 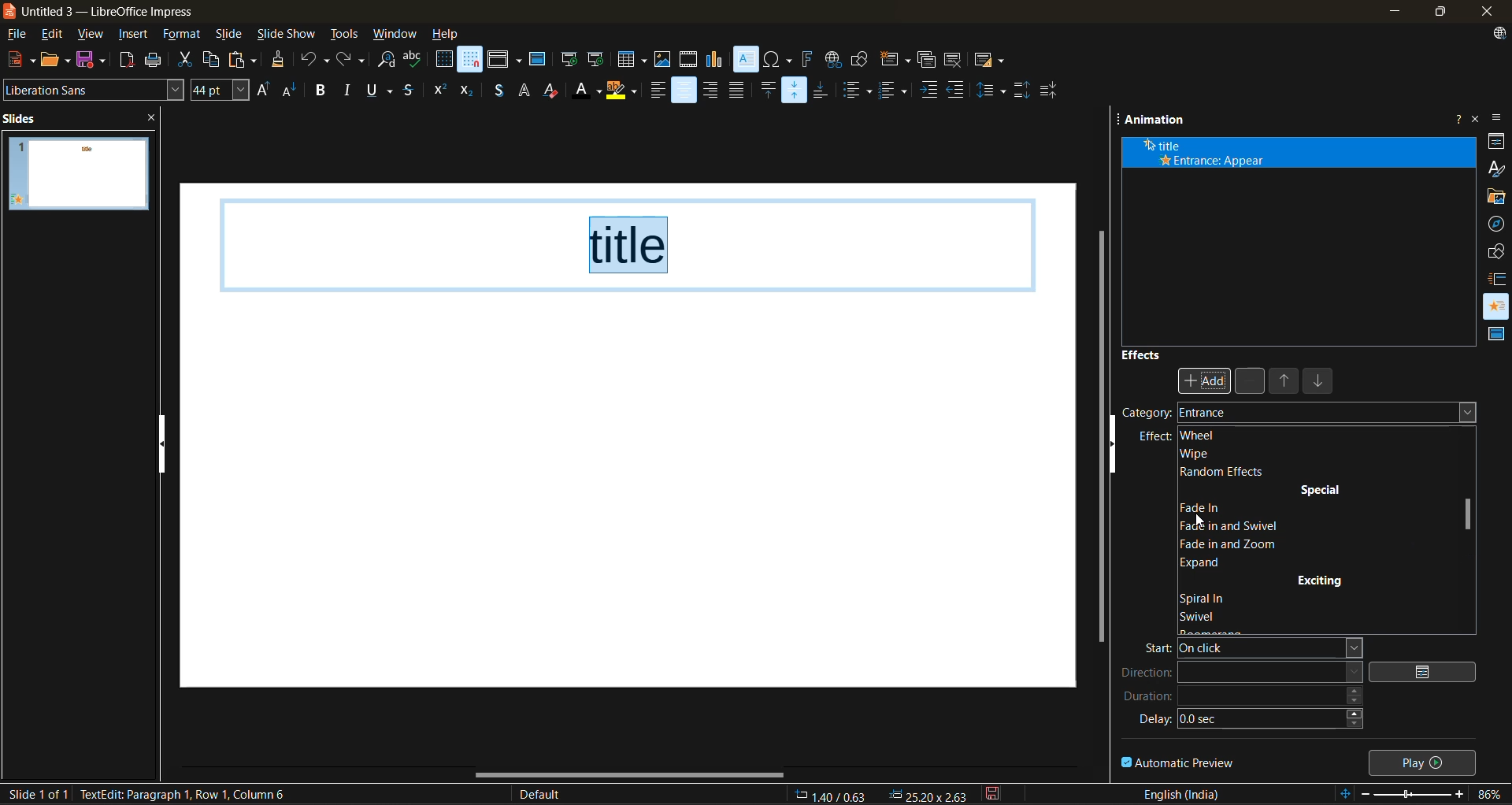 What do you see at coordinates (471, 59) in the screenshot?
I see `snap to grid` at bounding box center [471, 59].